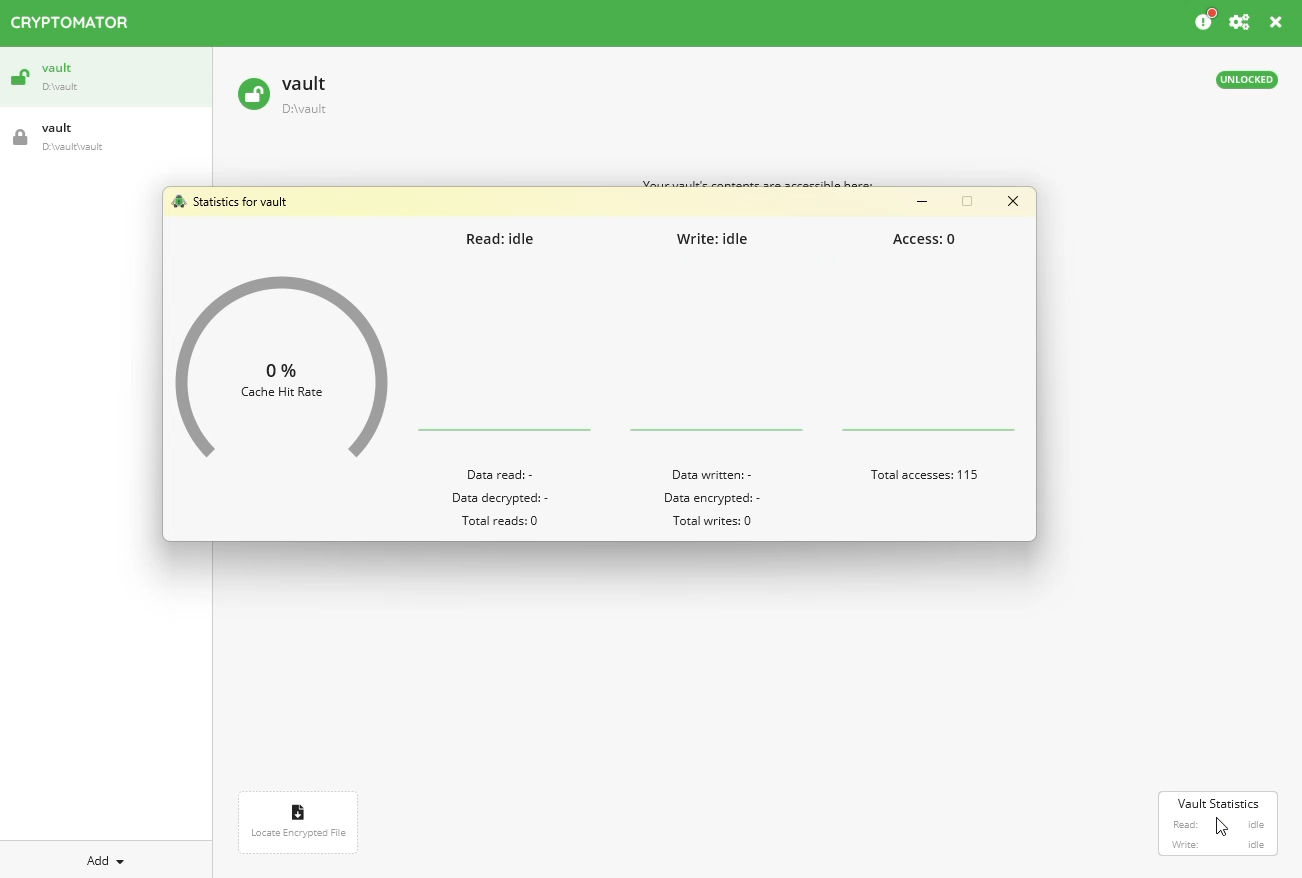  What do you see at coordinates (712, 499) in the screenshot?
I see `data encrypted` at bounding box center [712, 499].